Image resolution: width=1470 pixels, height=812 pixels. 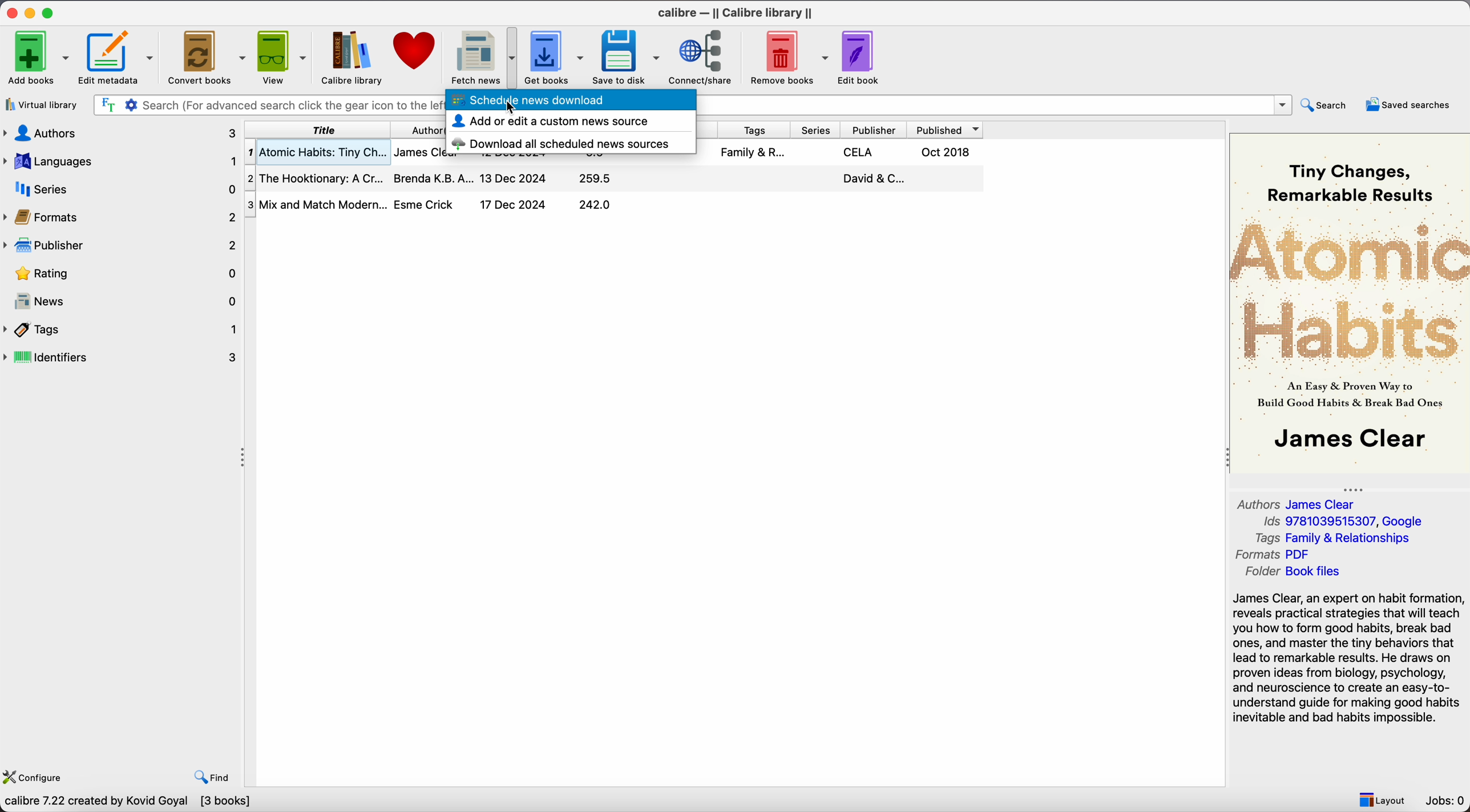 I want to click on series, so click(x=818, y=130).